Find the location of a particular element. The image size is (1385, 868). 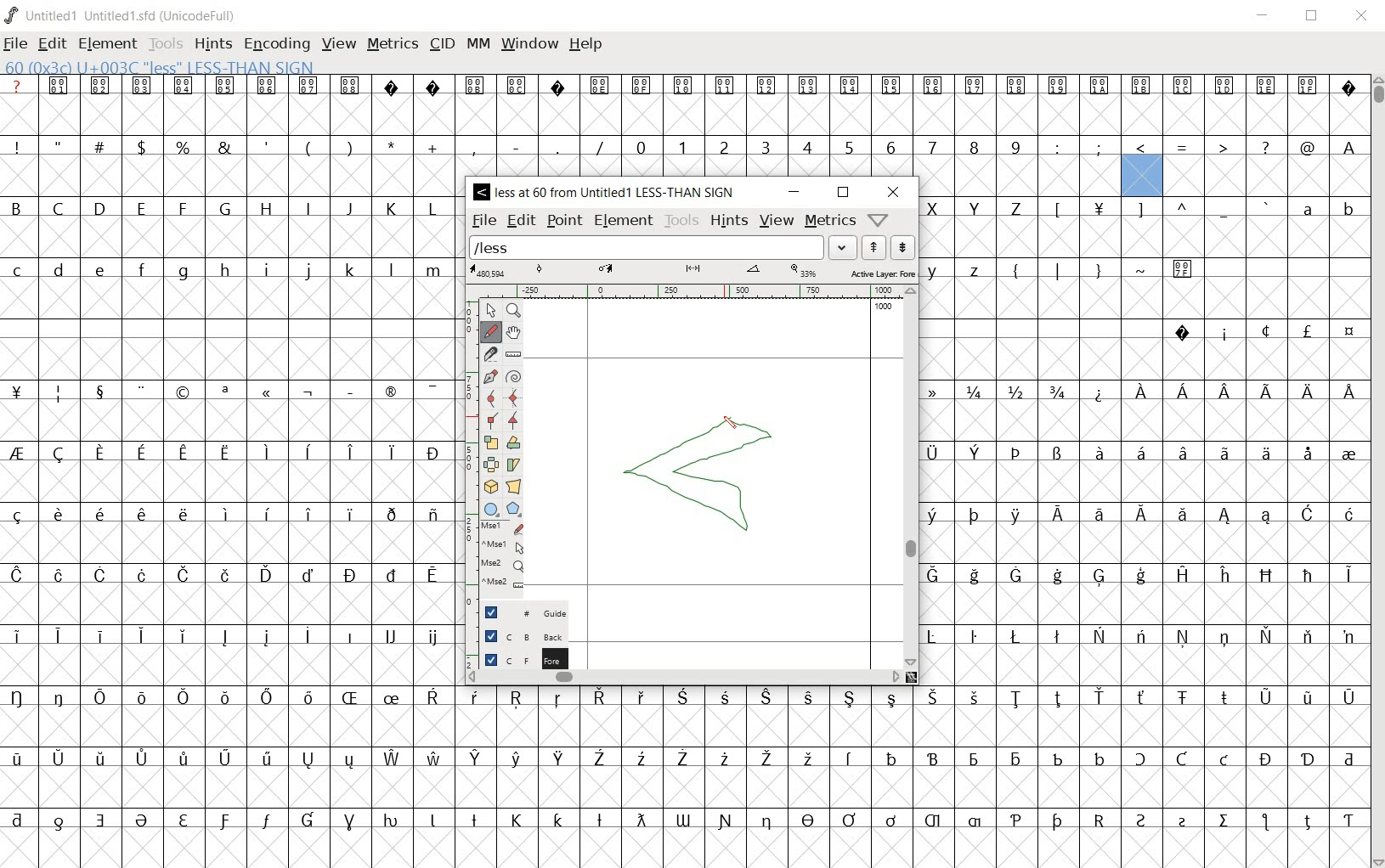

empty cells is located at coordinates (1142, 603).